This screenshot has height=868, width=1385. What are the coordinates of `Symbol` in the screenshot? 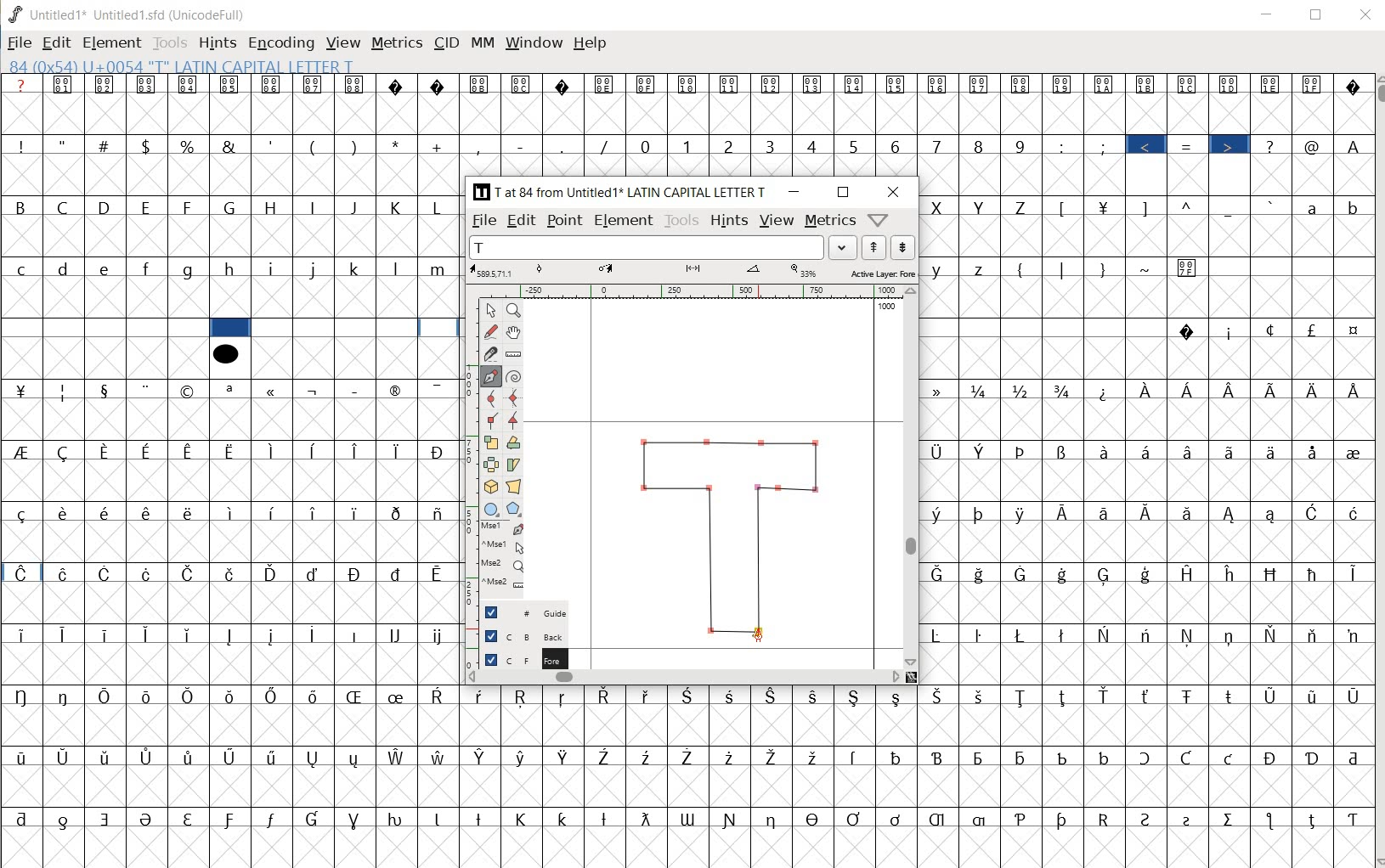 It's located at (1274, 635).